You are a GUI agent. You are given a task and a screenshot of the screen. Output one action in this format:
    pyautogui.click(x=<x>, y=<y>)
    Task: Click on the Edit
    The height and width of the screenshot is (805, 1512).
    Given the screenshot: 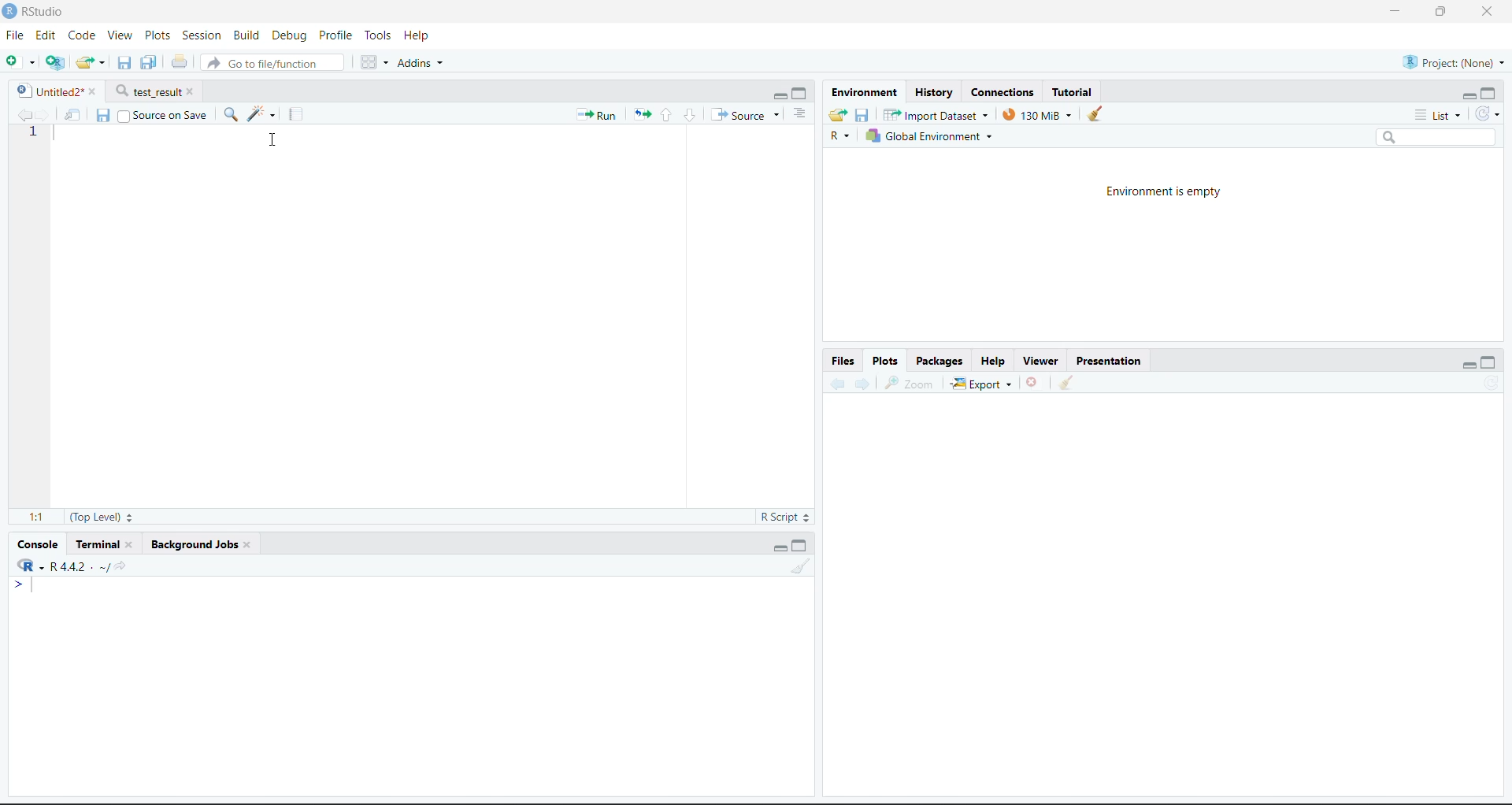 What is the action you would take?
    pyautogui.click(x=43, y=34)
    